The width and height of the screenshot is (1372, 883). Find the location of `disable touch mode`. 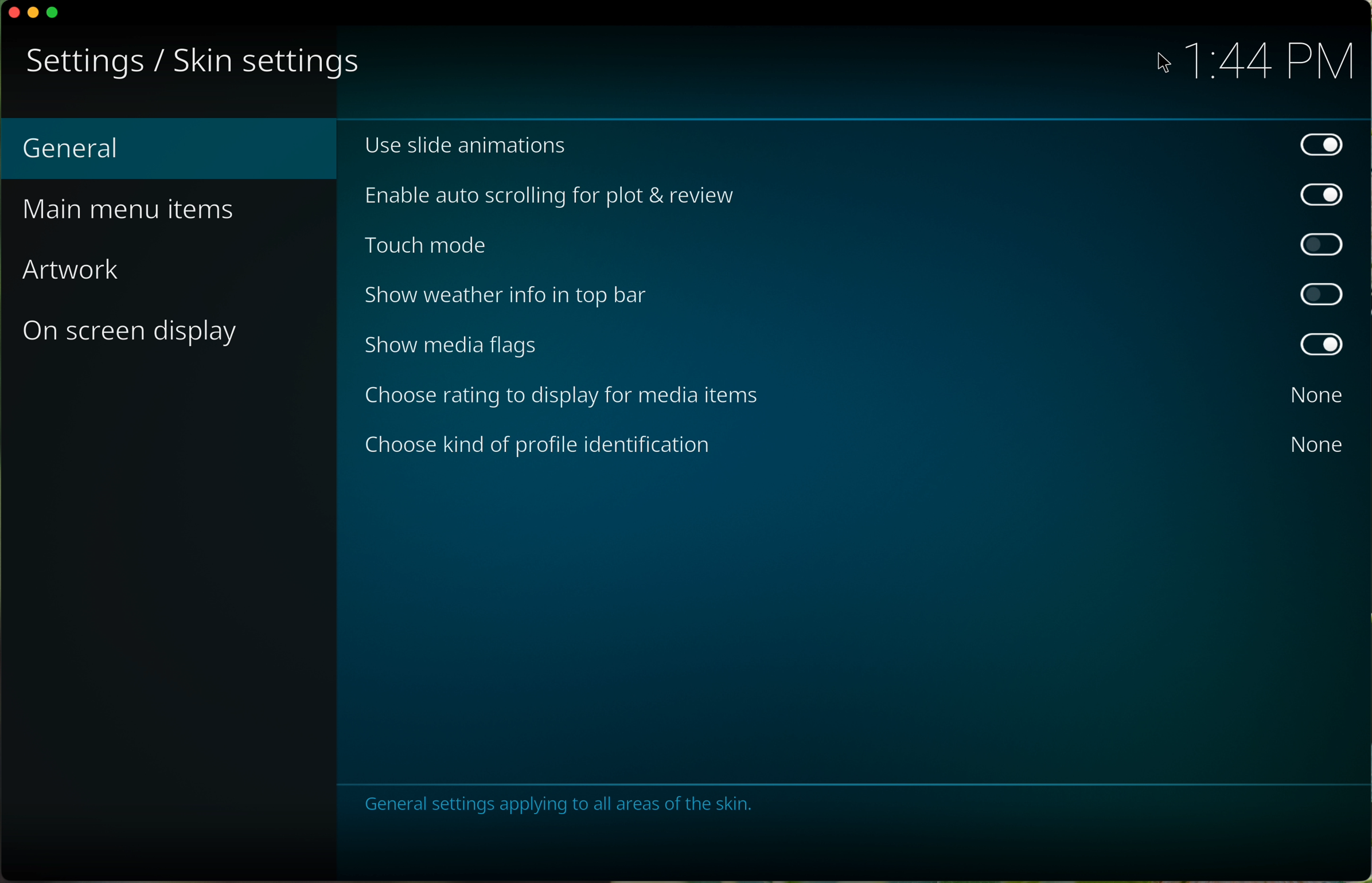

disable touch mode is located at coordinates (851, 247).